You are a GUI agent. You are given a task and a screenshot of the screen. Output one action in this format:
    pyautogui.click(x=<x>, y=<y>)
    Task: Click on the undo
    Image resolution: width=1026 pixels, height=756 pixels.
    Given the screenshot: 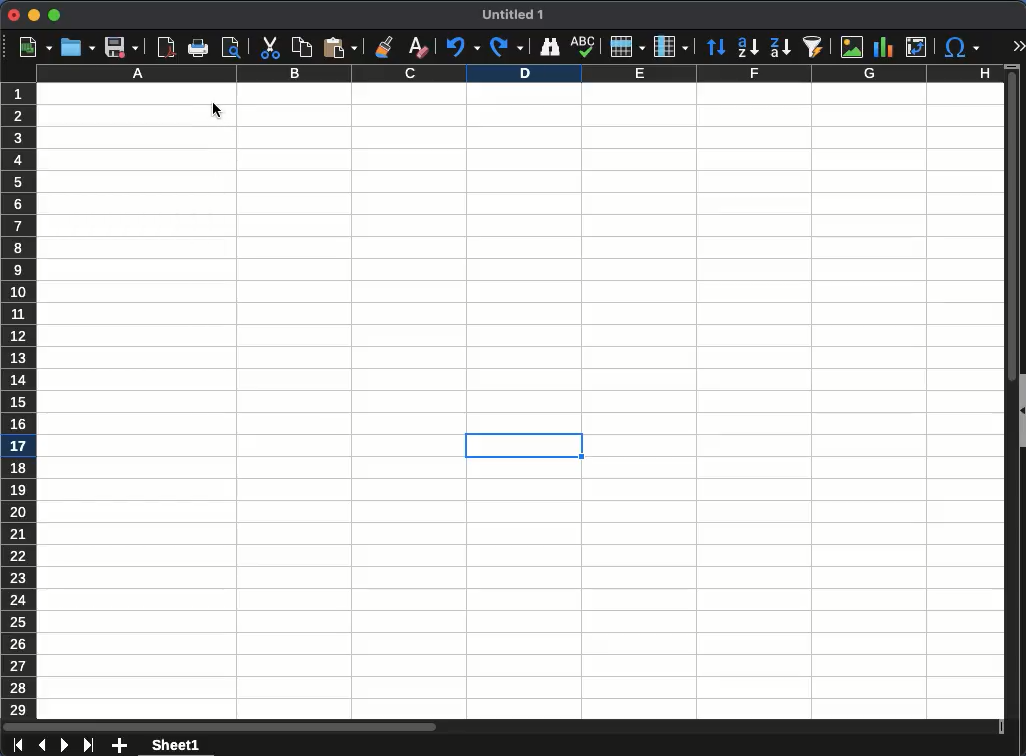 What is the action you would take?
    pyautogui.click(x=463, y=48)
    